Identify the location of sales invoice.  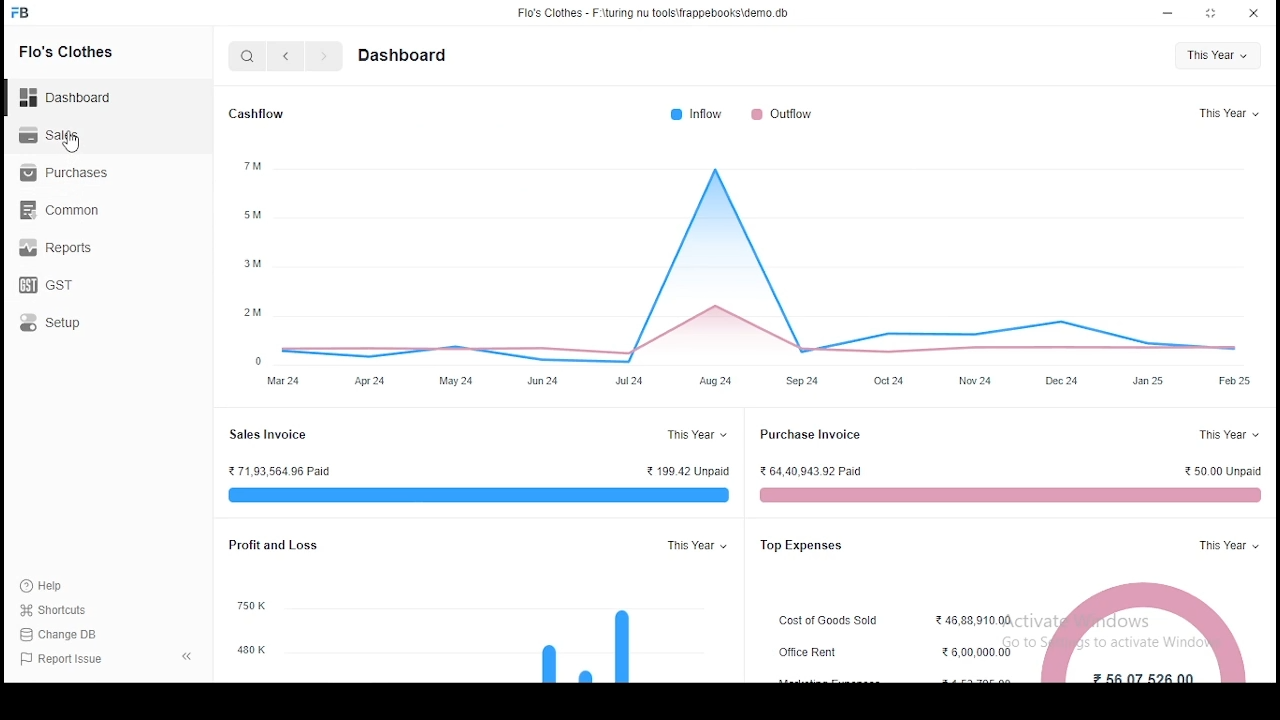
(267, 435).